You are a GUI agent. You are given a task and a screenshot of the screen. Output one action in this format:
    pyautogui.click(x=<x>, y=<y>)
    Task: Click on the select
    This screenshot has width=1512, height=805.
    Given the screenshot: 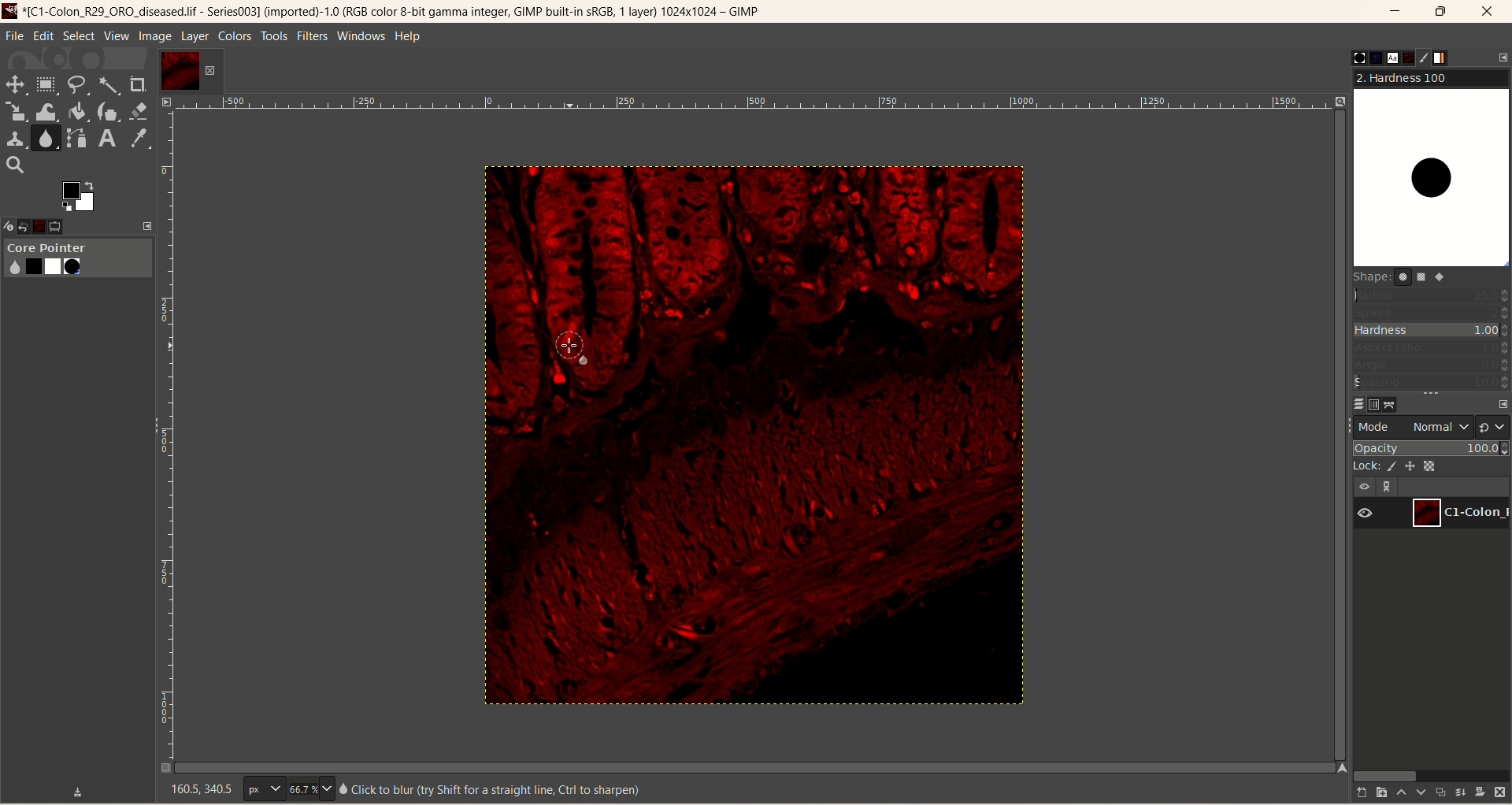 What is the action you would take?
    pyautogui.click(x=79, y=36)
    